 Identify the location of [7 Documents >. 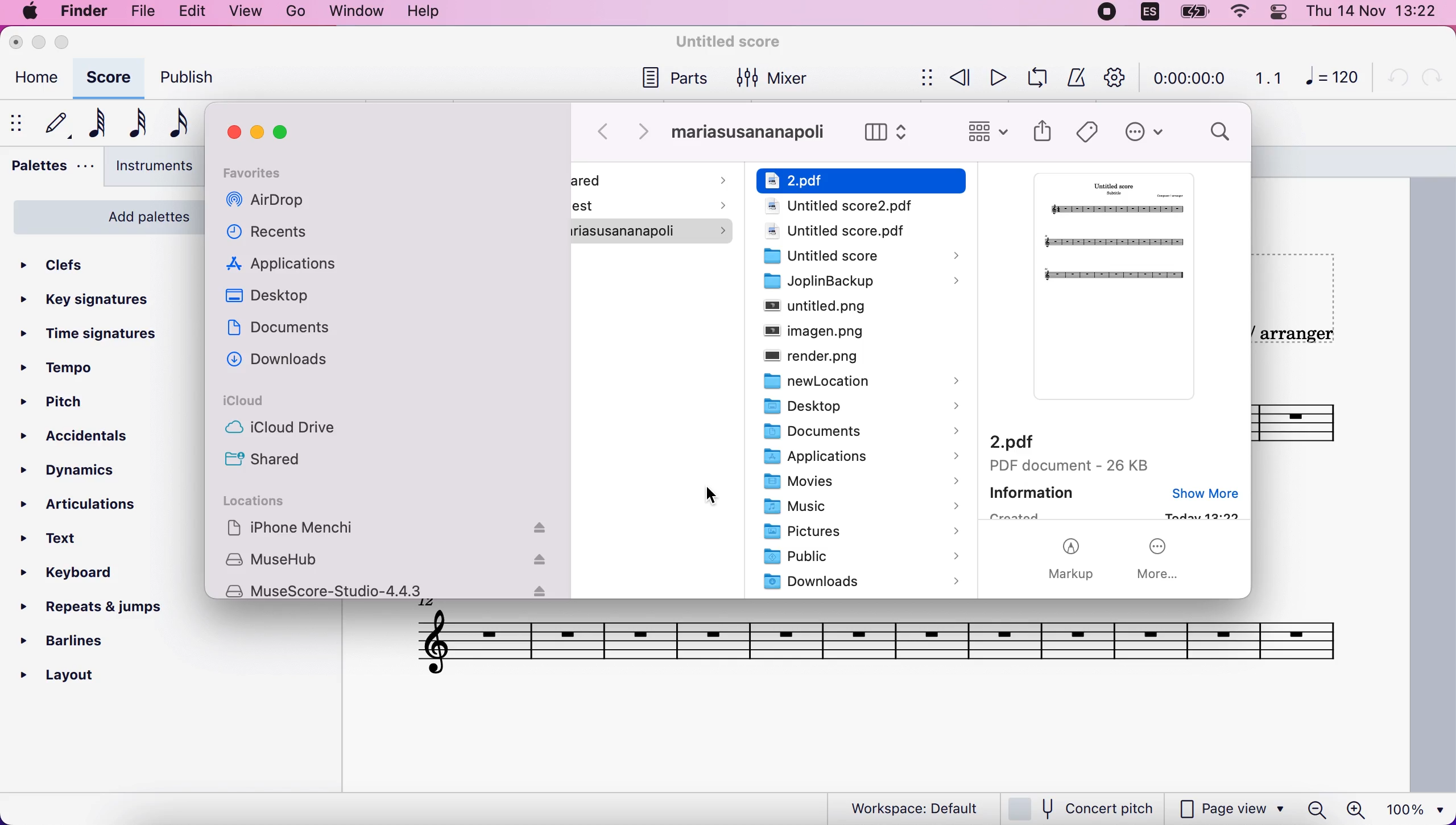
(853, 434).